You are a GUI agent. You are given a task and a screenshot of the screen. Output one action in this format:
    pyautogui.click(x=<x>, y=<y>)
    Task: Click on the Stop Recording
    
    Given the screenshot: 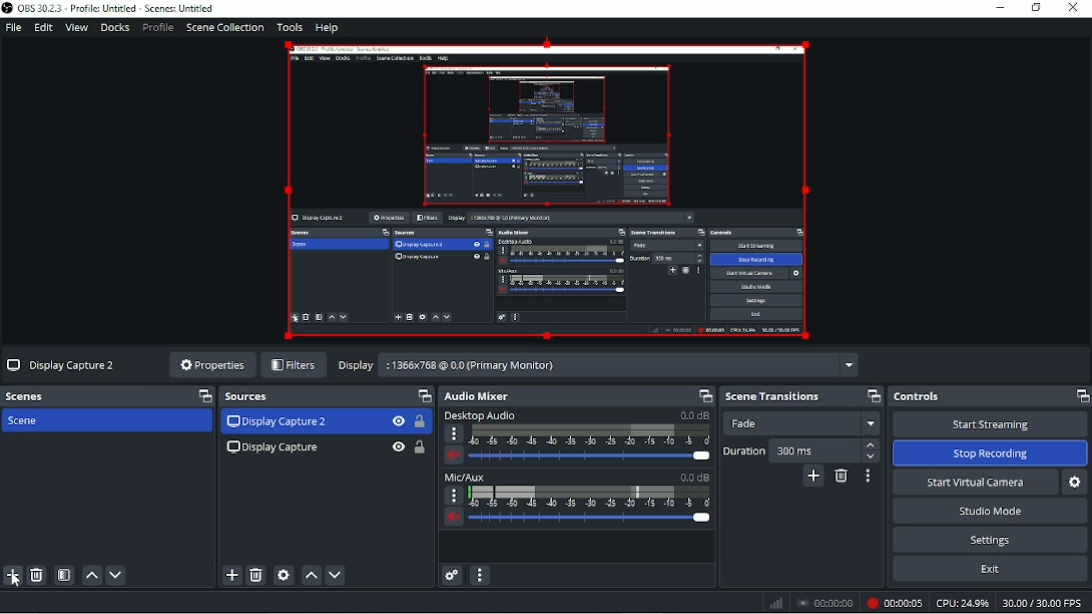 What is the action you would take?
    pyautogui.click(x=990, y=453)
    